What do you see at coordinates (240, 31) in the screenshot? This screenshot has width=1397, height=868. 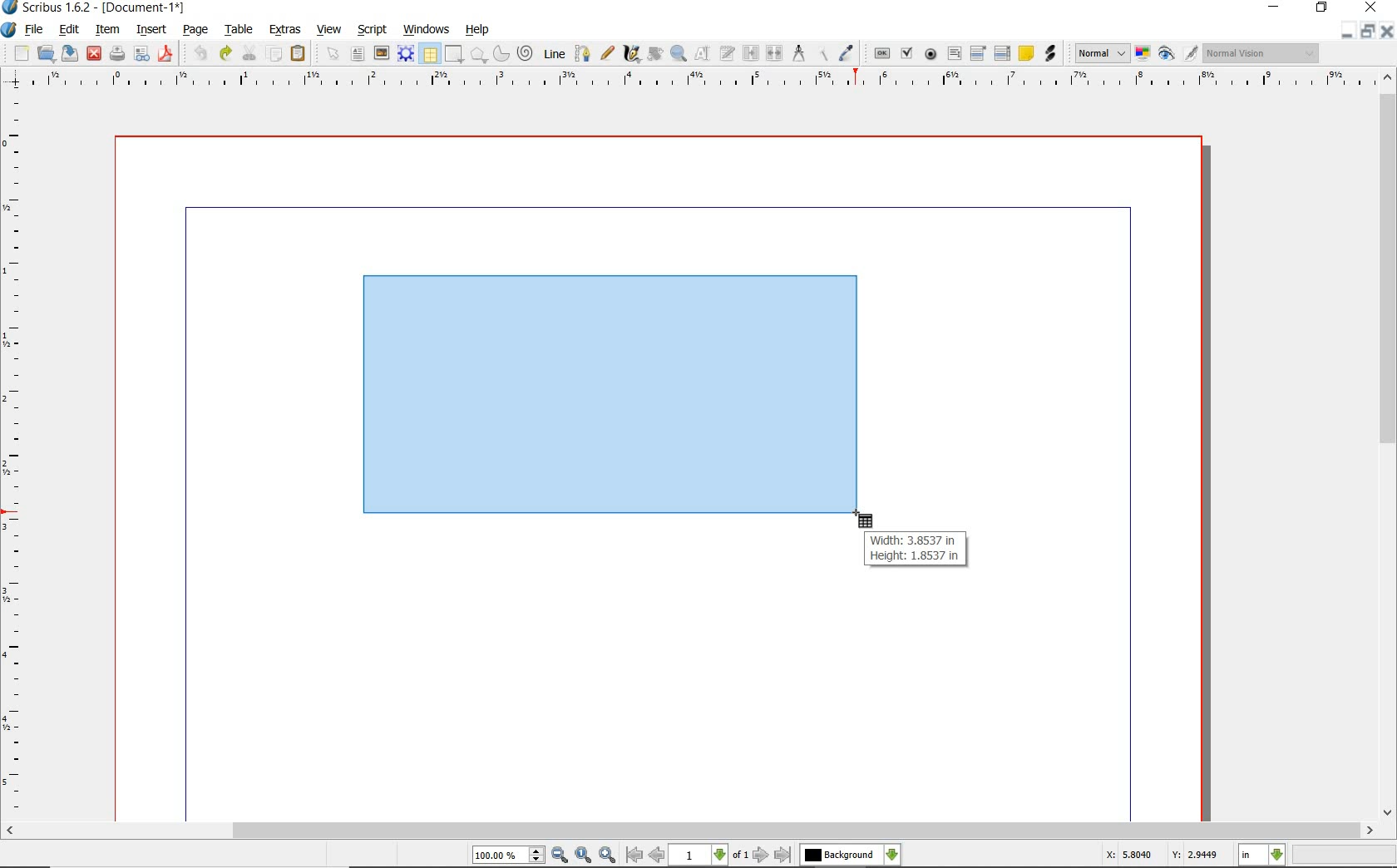 I see `table` at bounding box center [240, 31].